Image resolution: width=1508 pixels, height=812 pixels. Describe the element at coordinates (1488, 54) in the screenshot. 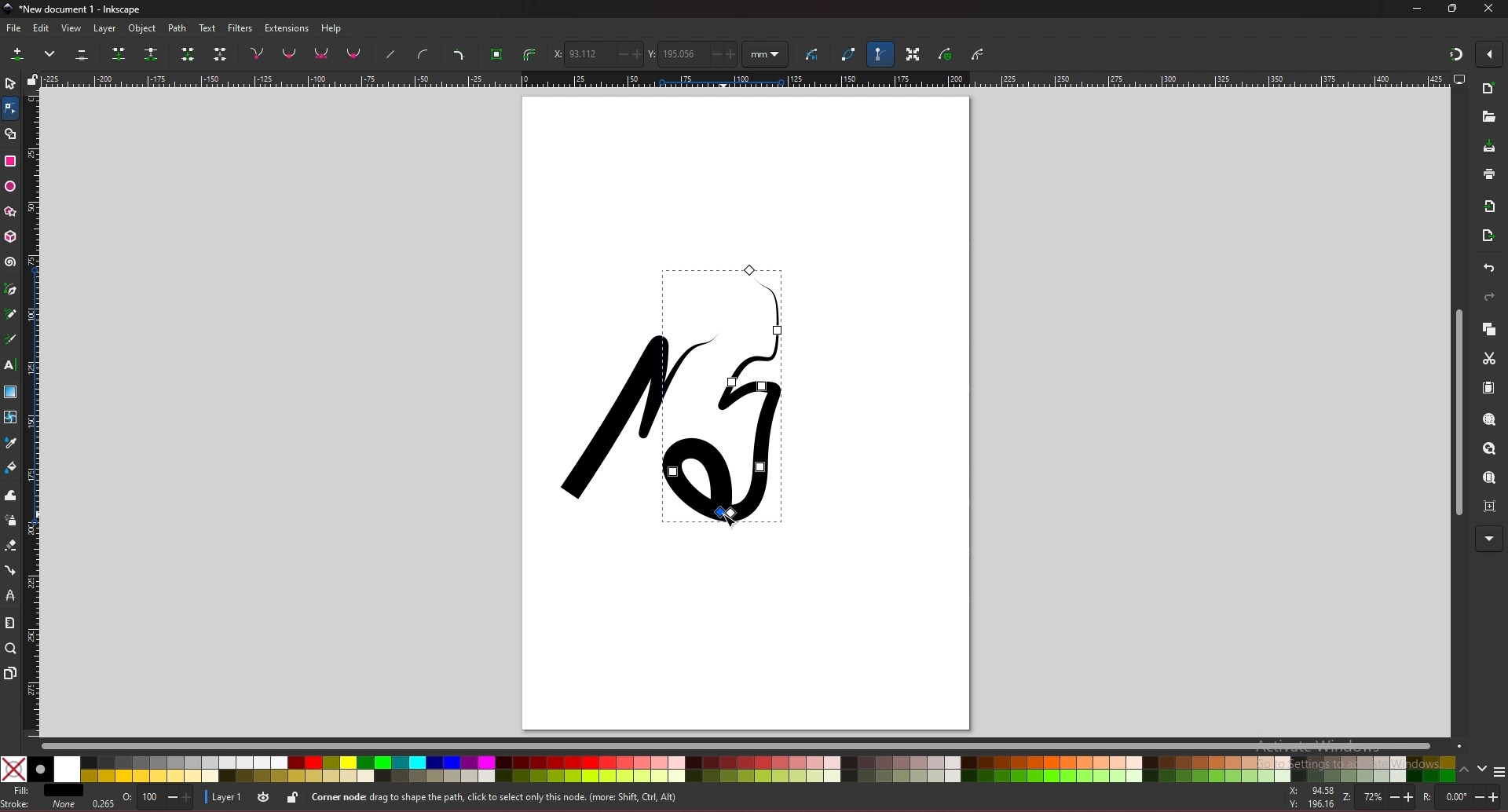

I see `enable snapping` at that location.